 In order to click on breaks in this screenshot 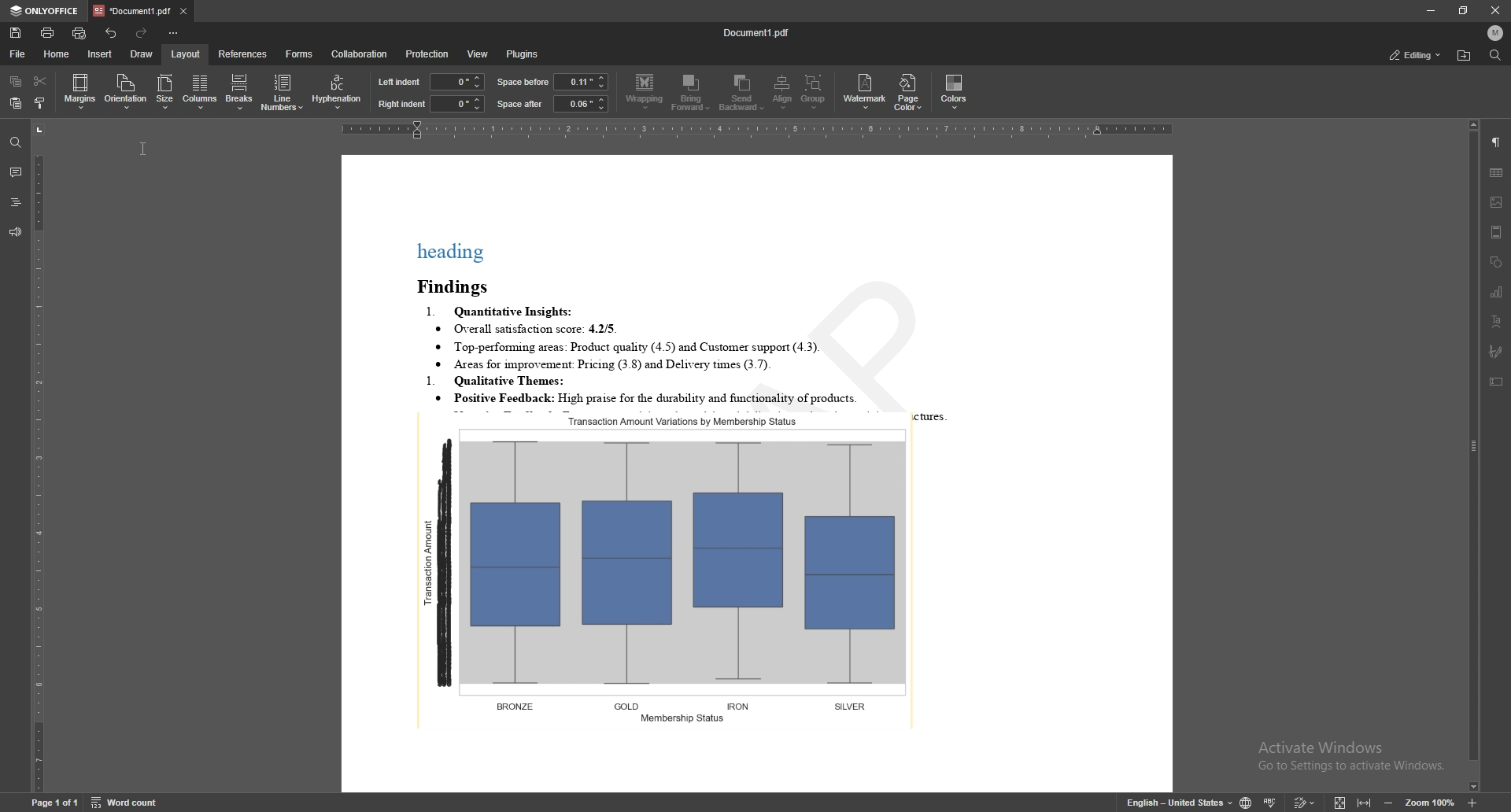, I will do `click(238, 91)`.